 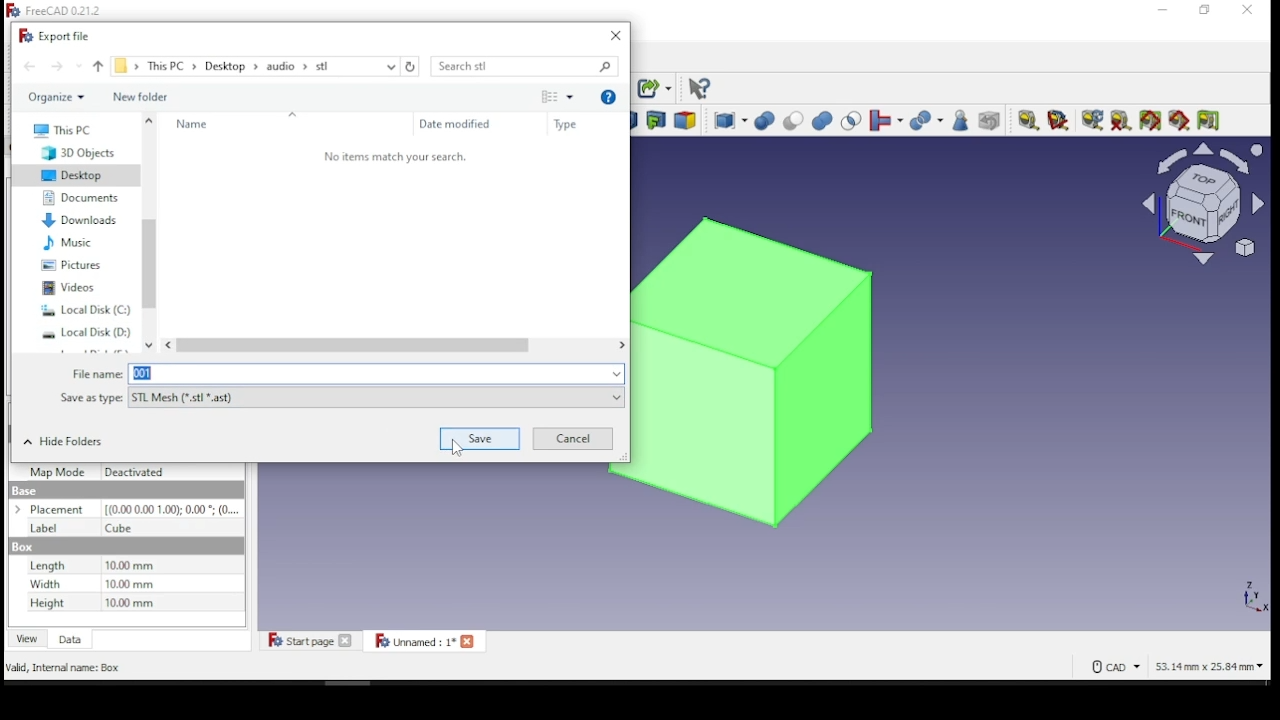 What do you see at coordinates (729, 121) in the screenshot?
I see `compound tools` at bounding box center [729, 121].